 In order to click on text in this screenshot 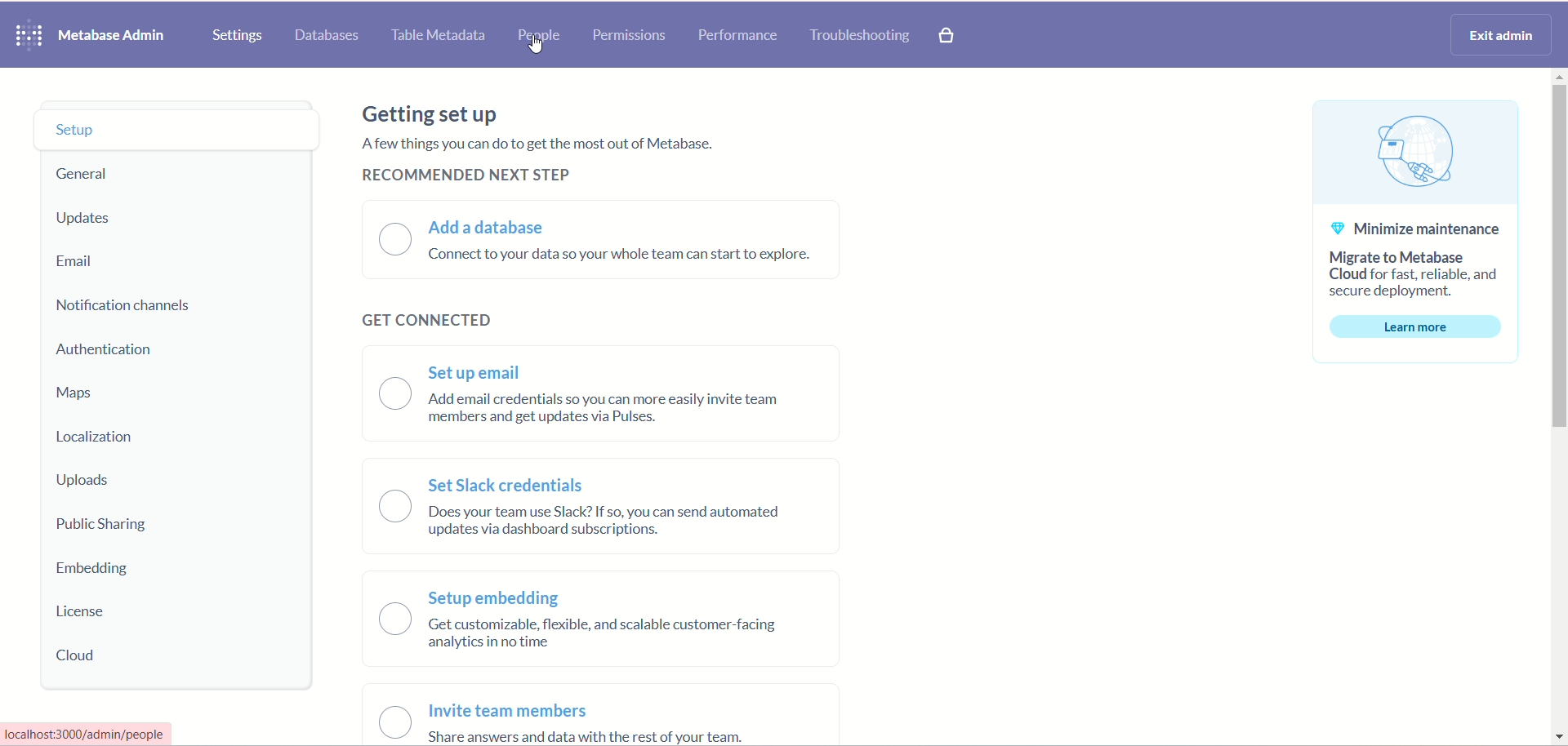, I will do `click(609, 634)`.